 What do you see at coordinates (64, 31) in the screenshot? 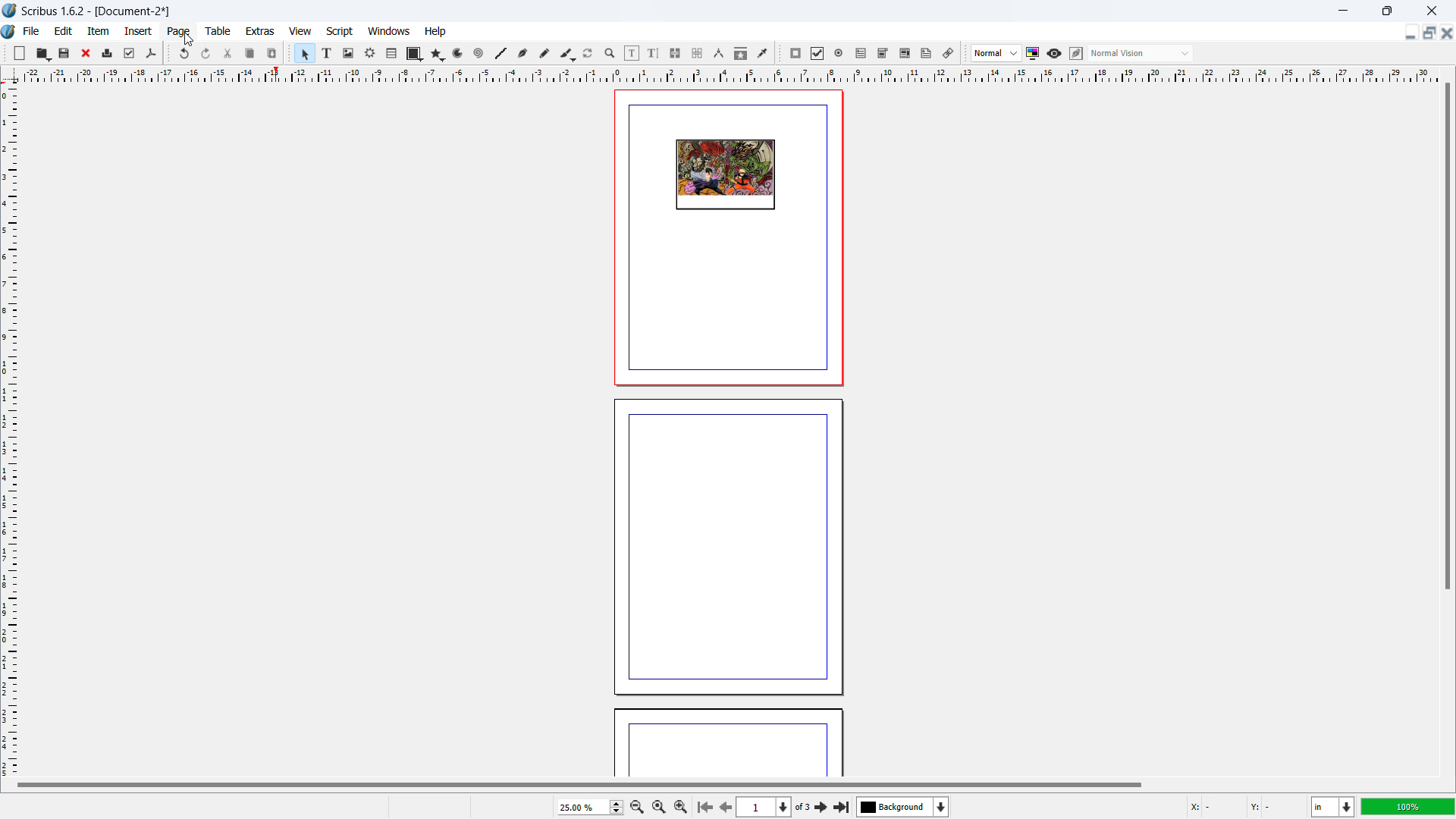
I see `edit` at bounding box center [64, 31].